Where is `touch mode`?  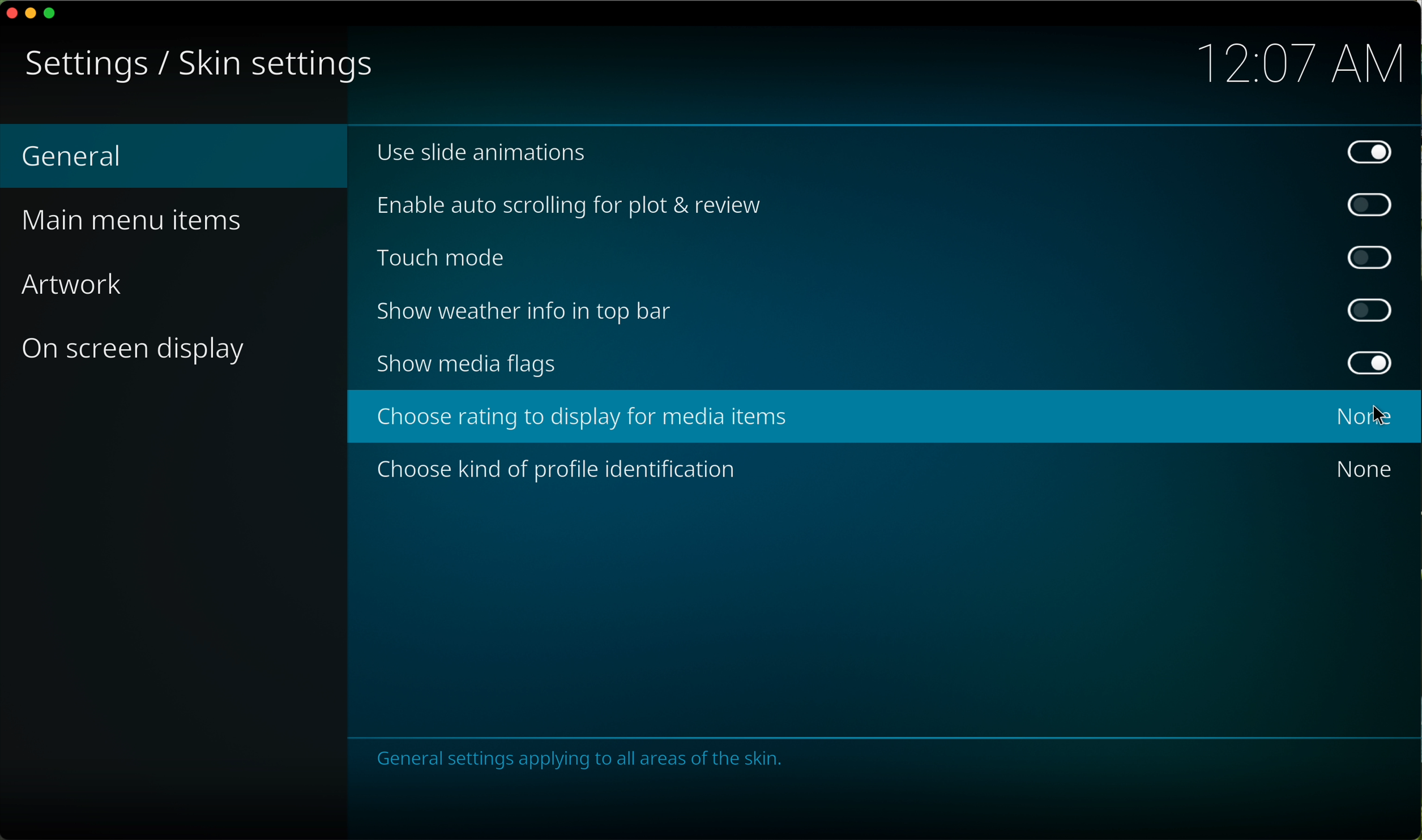
touch mode is located at coordinates (882, 256).